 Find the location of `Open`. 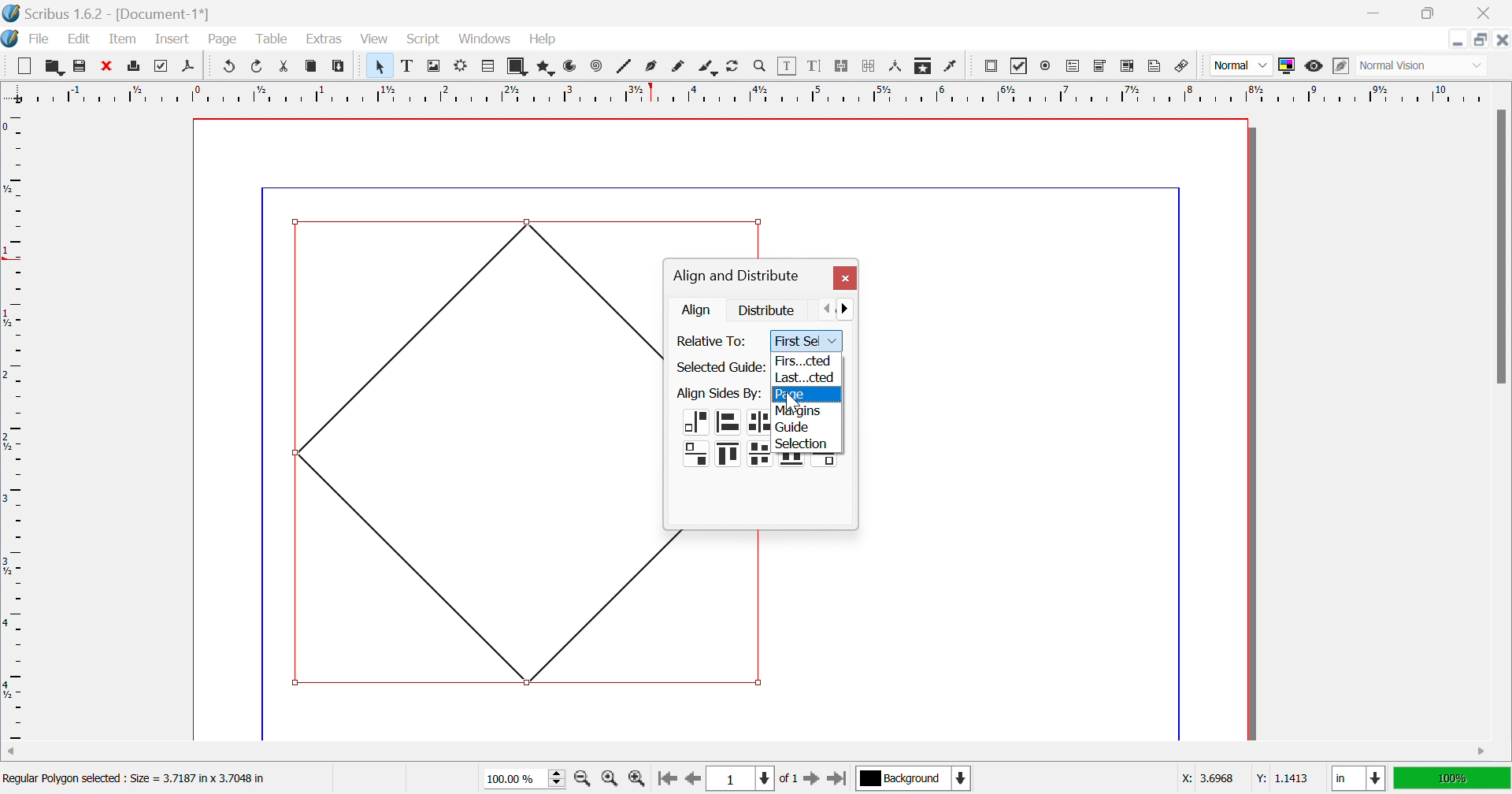

Open is located at coordinates (54, 65).